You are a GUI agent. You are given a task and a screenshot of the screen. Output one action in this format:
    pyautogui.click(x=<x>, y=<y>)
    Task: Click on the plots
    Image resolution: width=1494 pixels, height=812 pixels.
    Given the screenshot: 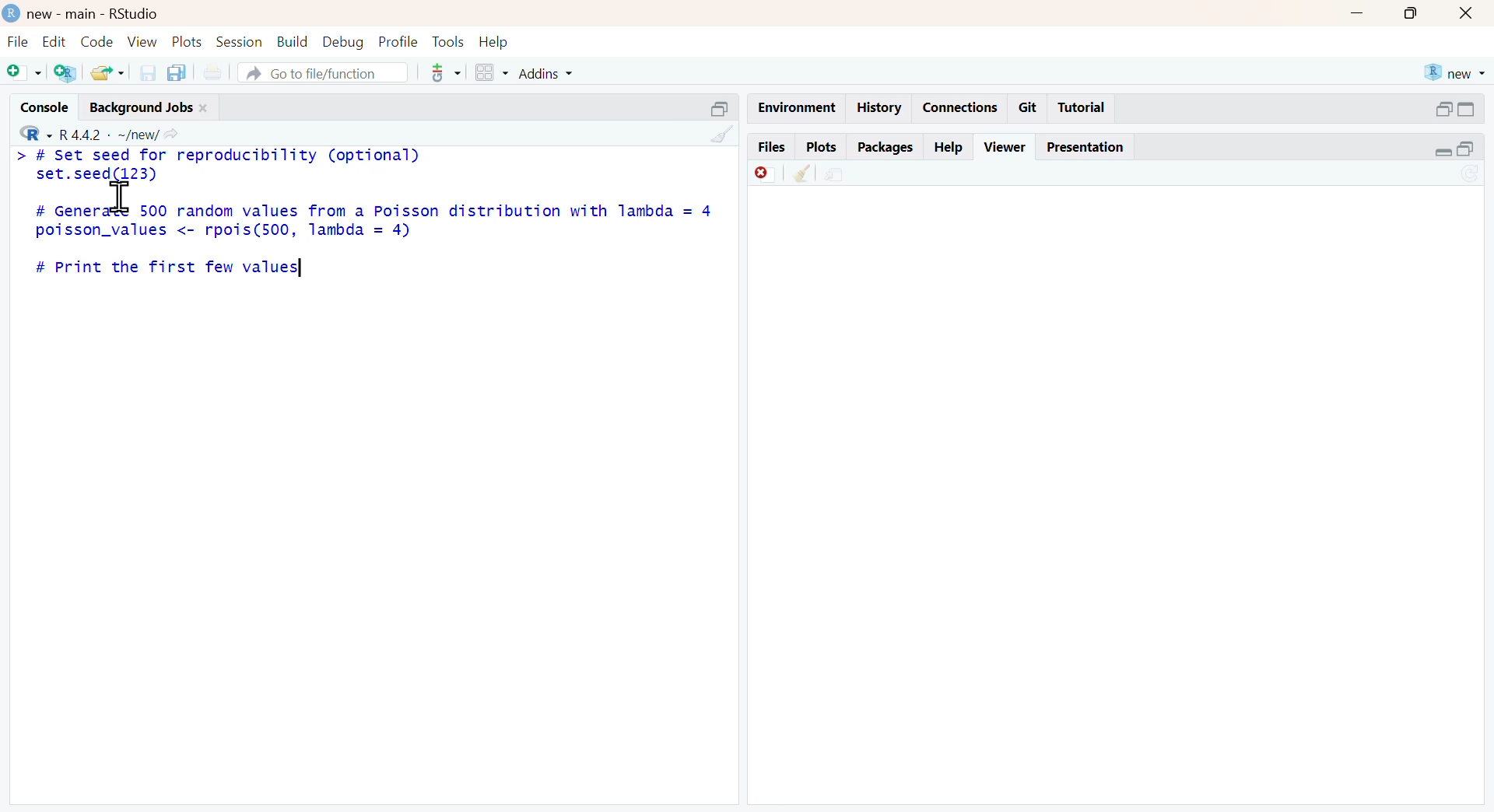 What is the action you would take?
    pyautogui.click(x=823, y=146)
    